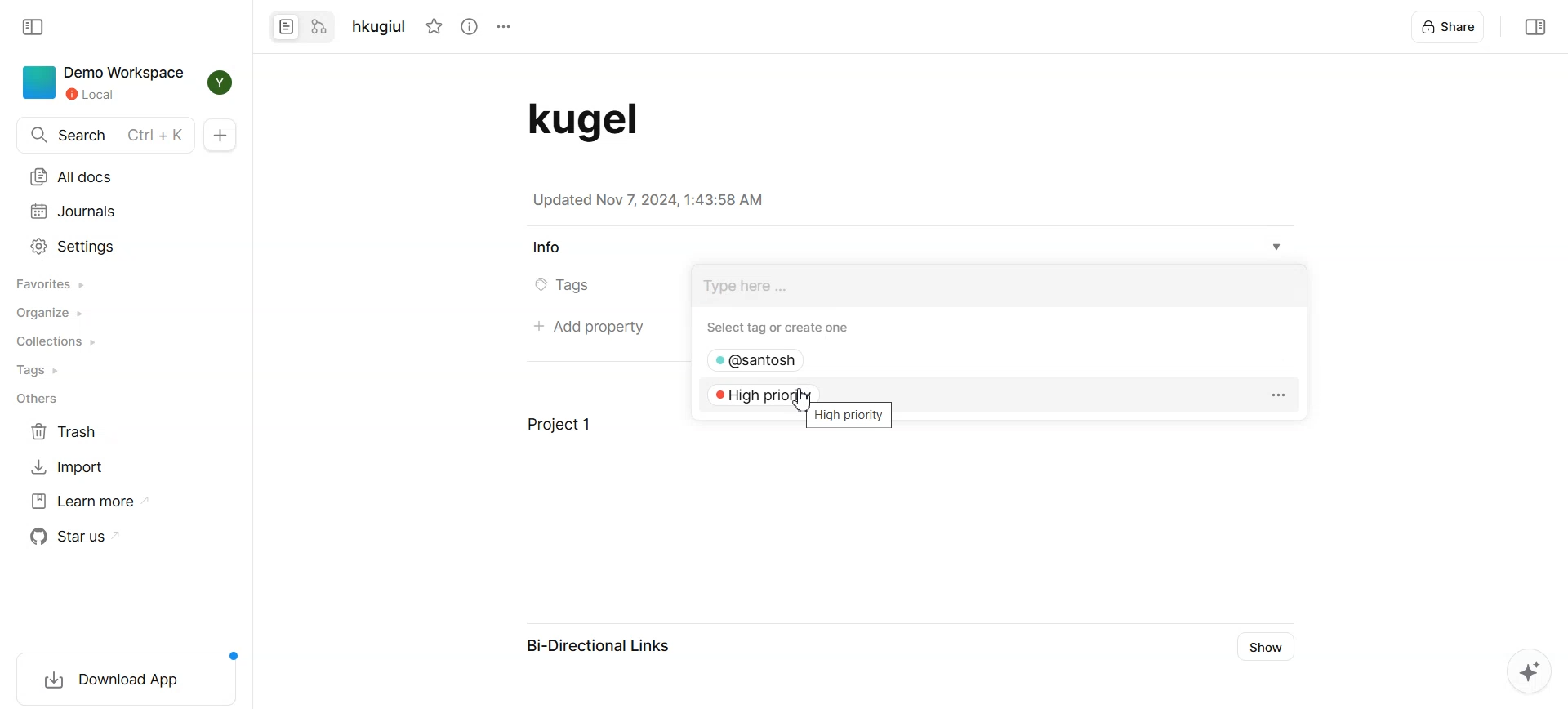 This screenshot has height=709, width=1568. Describe the element at coordinates (219, 82) in the screenshot. I see `Profile` at that location.